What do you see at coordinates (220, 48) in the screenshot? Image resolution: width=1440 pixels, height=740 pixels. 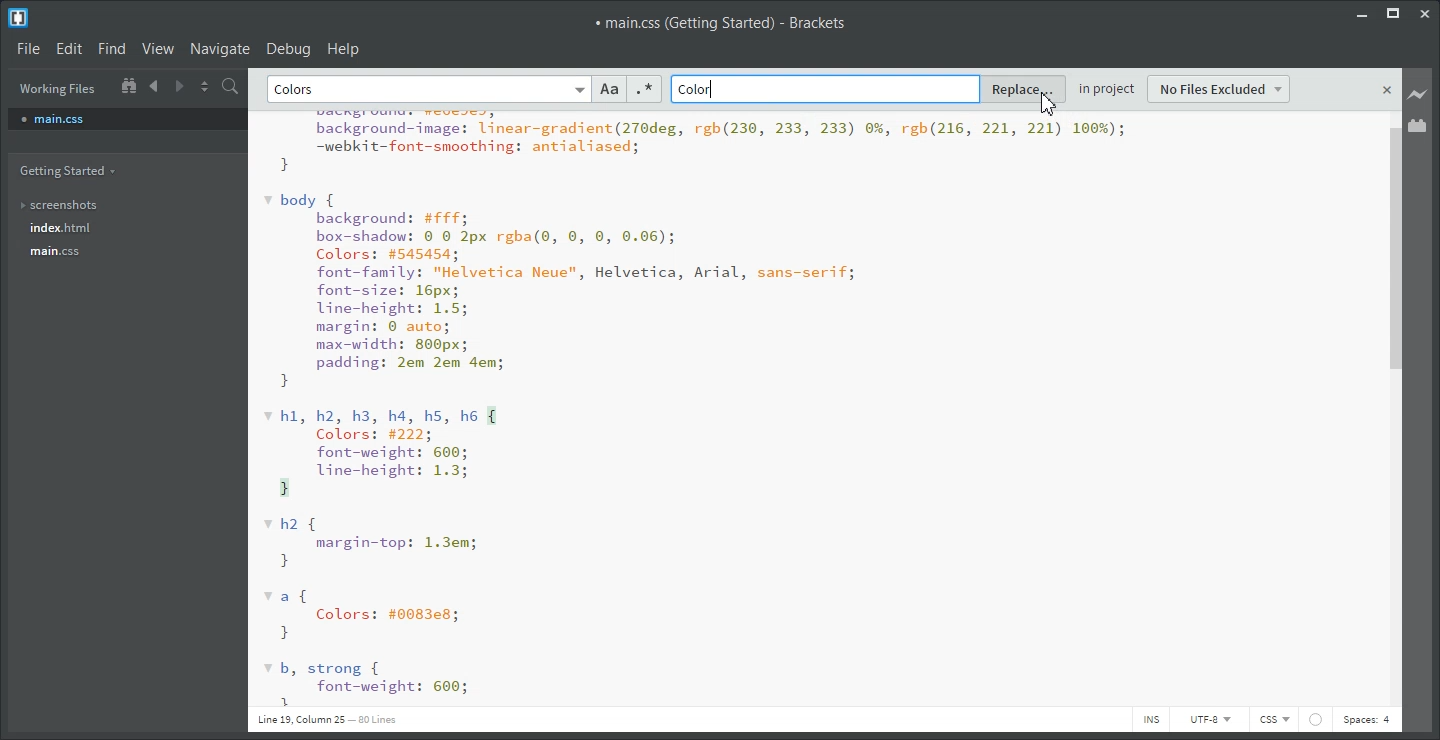 I see `Navigate` at bounding box center [220, 48].